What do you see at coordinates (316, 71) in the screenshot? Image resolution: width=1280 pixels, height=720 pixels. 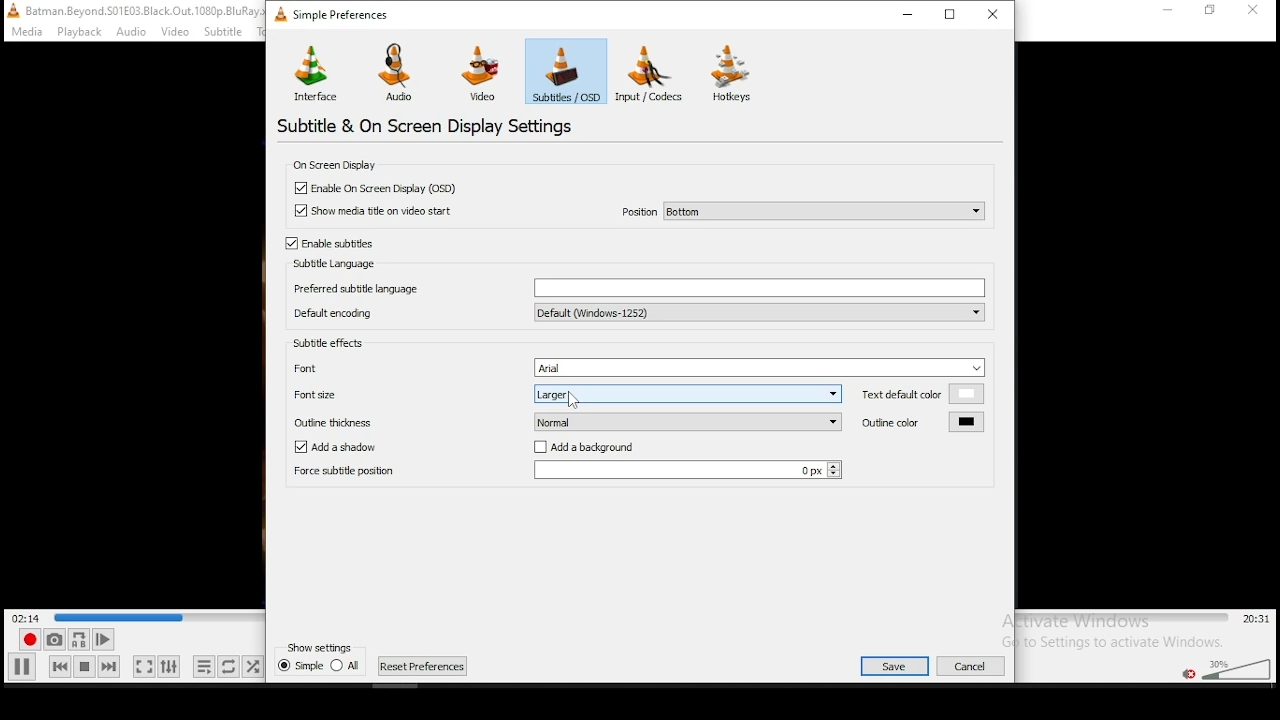 I see `interface` at bounding box center [316, 71].